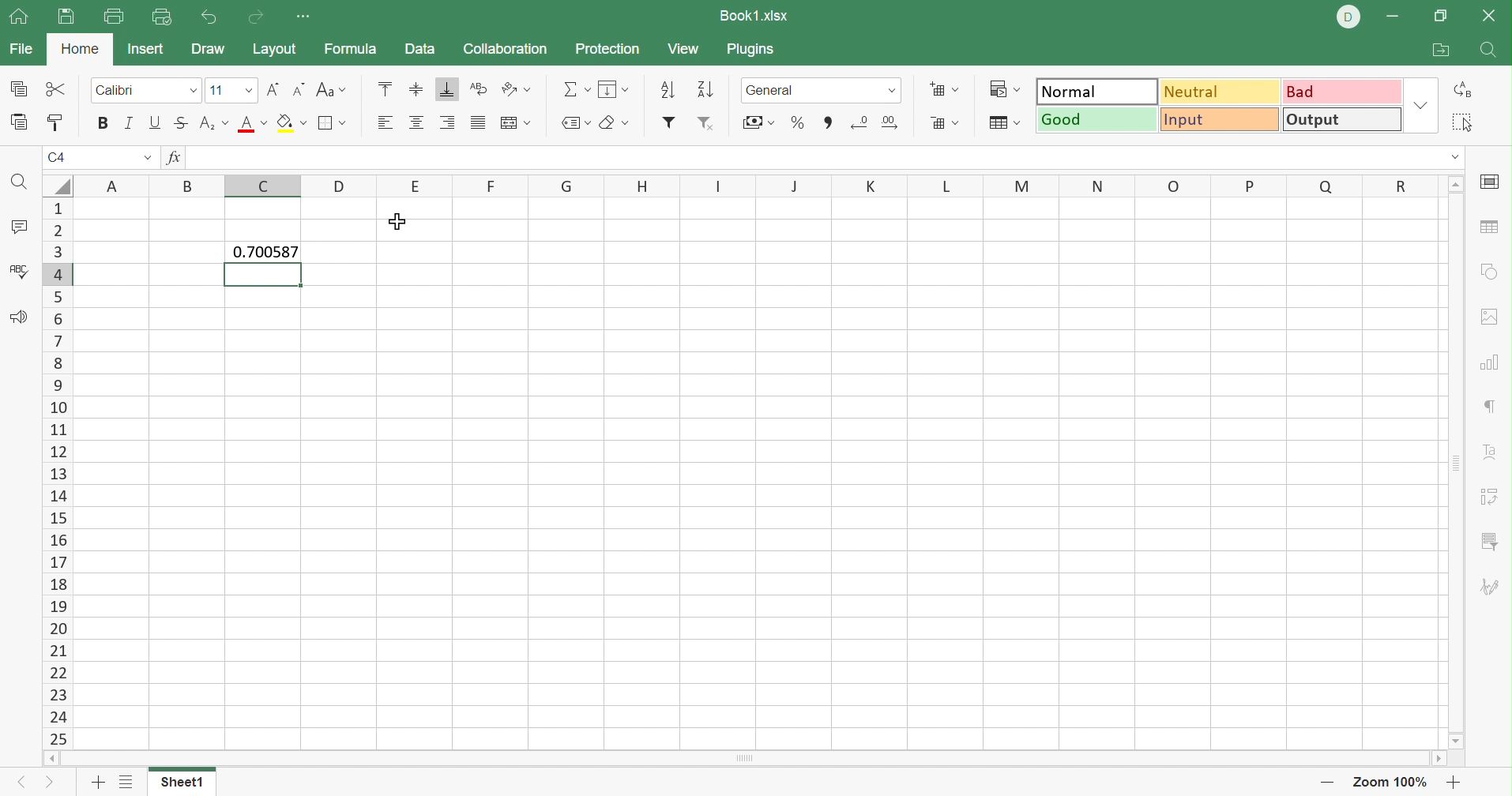 The height and width of the screenshot is (796, 1512). I want to click on Draw, so click(207, 47).